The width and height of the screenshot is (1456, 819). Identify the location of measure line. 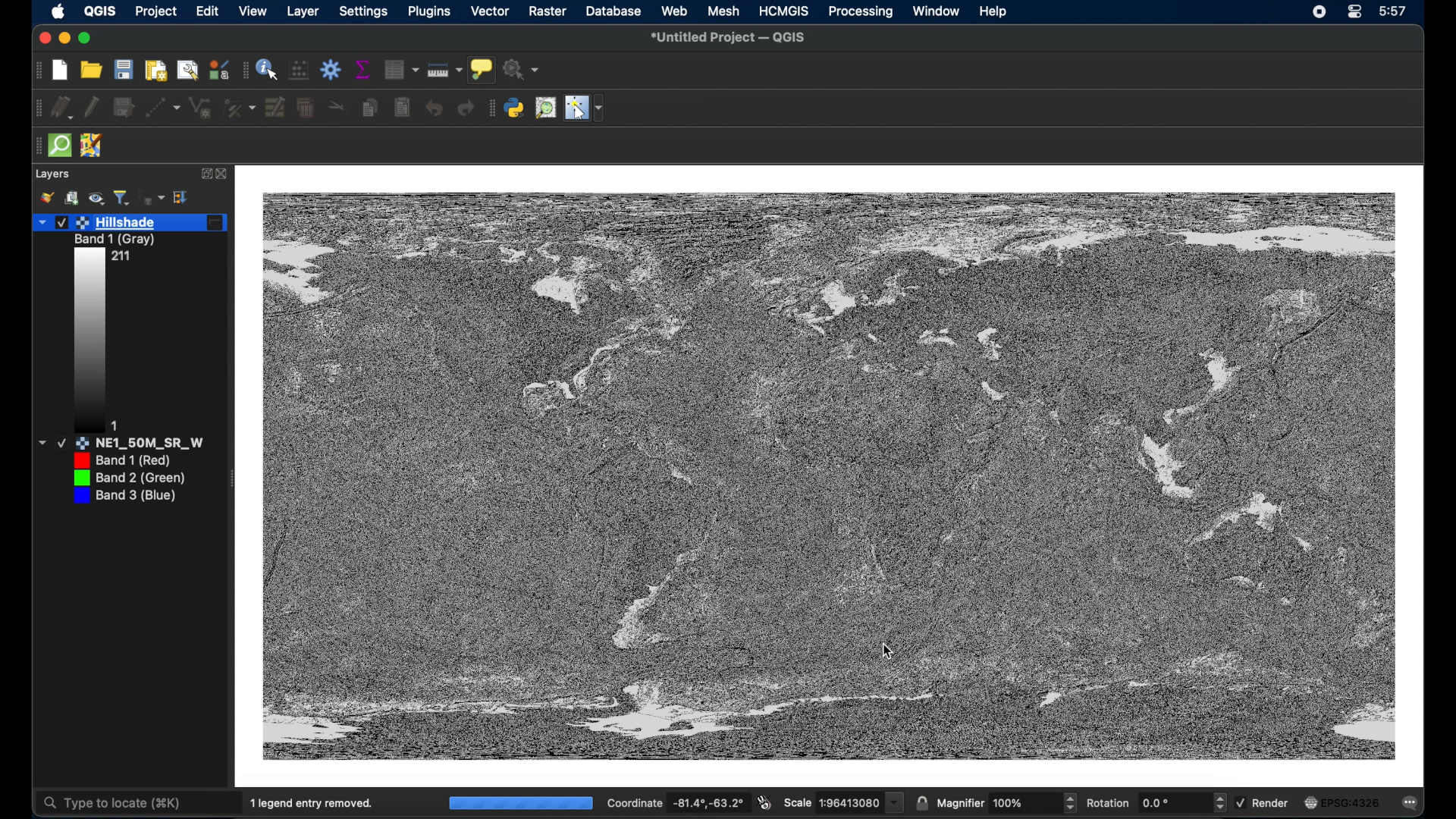
(444, 70).